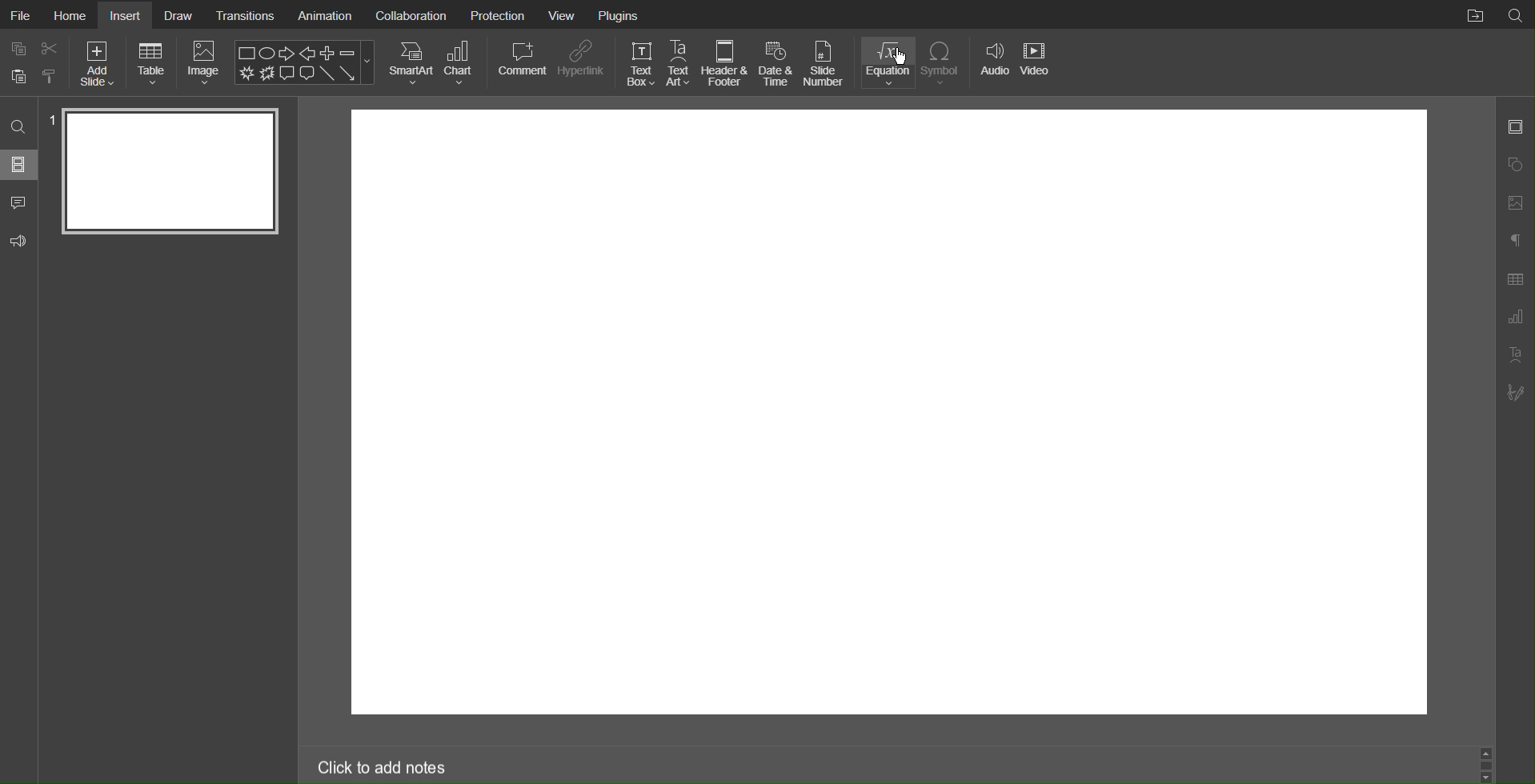  What do you see at coordinates (1040, 62) in the screenshot?
I see `Video` at bounding box center [1040, 62].